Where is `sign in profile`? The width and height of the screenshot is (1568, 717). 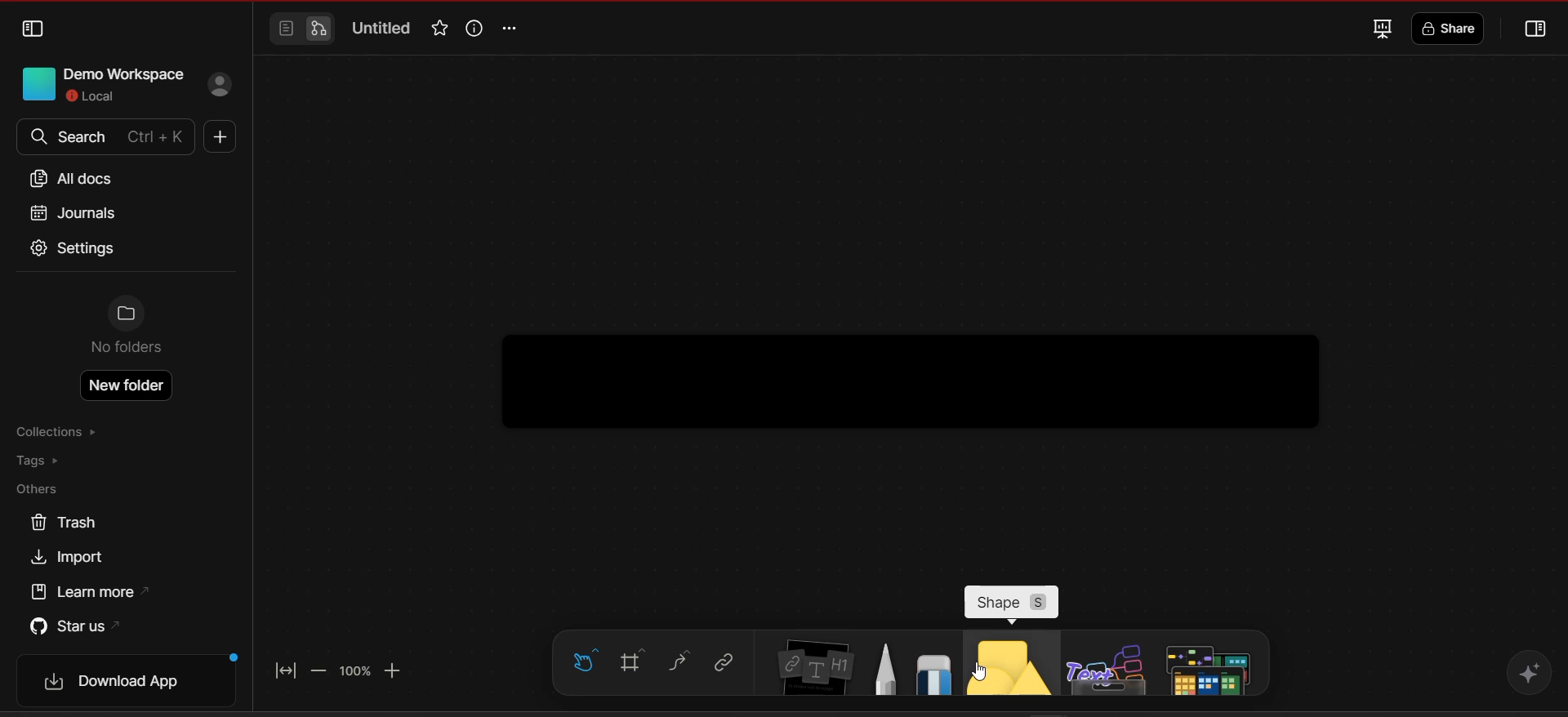 sign in profile is located at coordinates (222, 86).